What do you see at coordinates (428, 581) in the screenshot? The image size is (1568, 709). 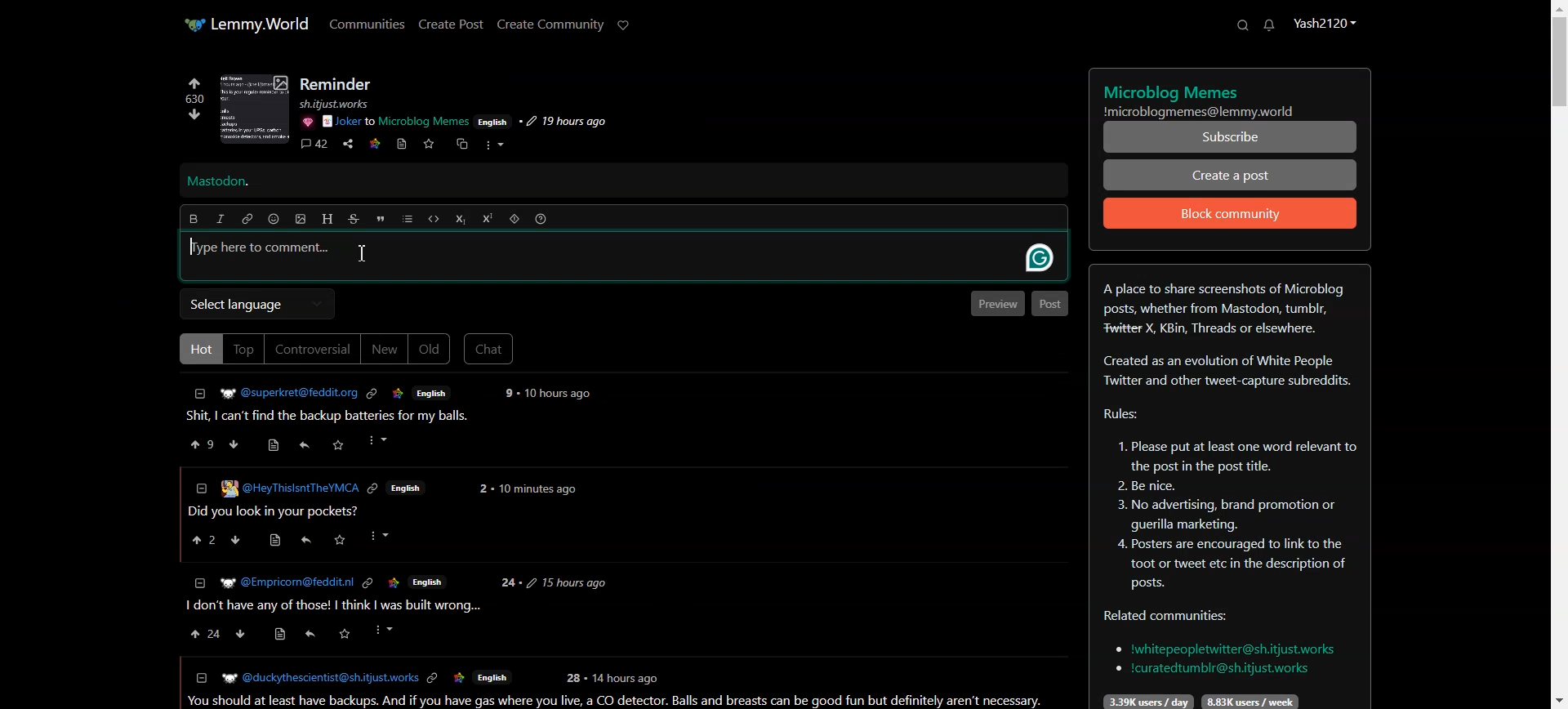 I see `` at bounding box center [428, 581].